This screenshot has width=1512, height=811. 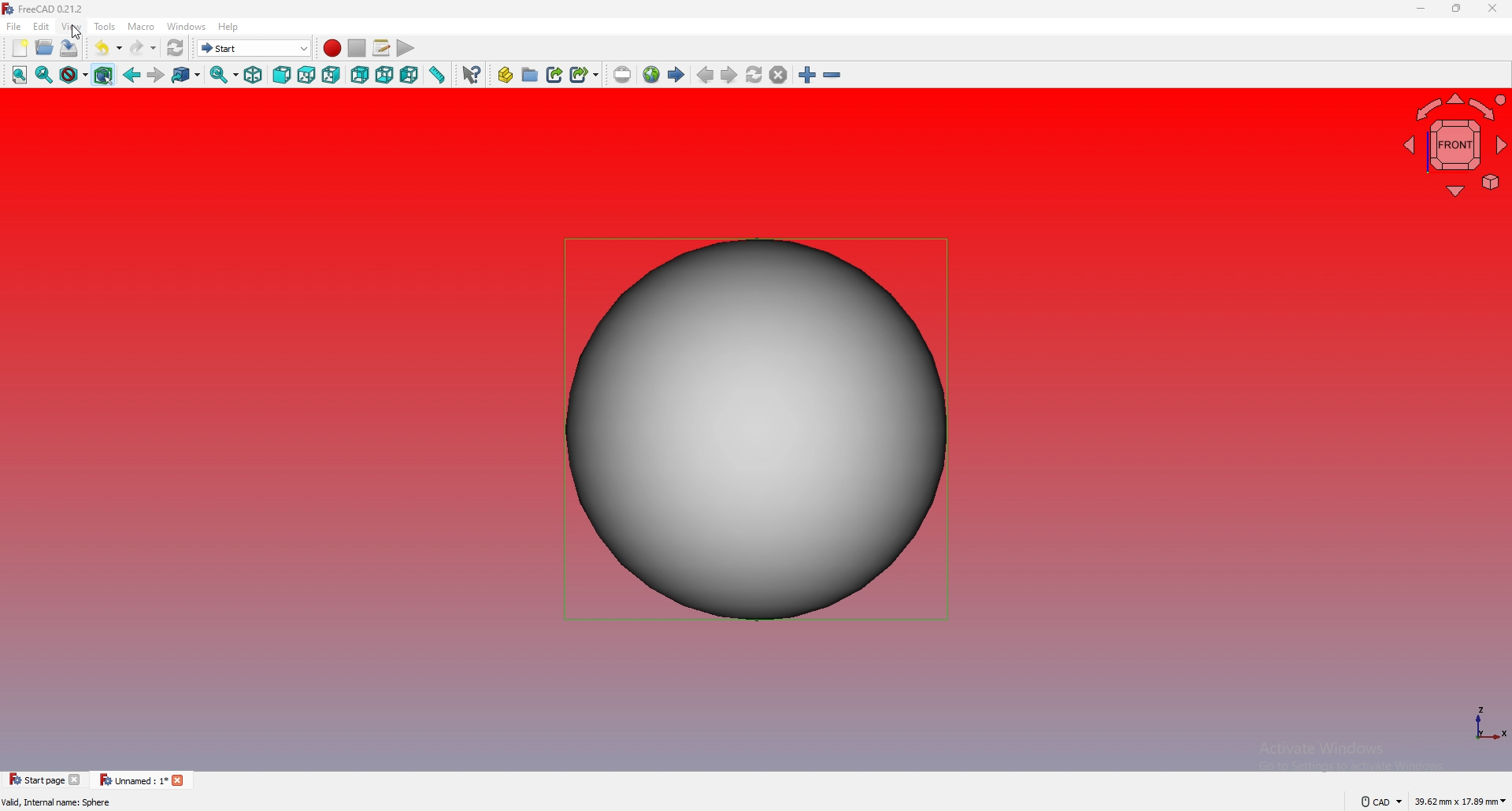 I want to click on help, so click(x=229, y=27).